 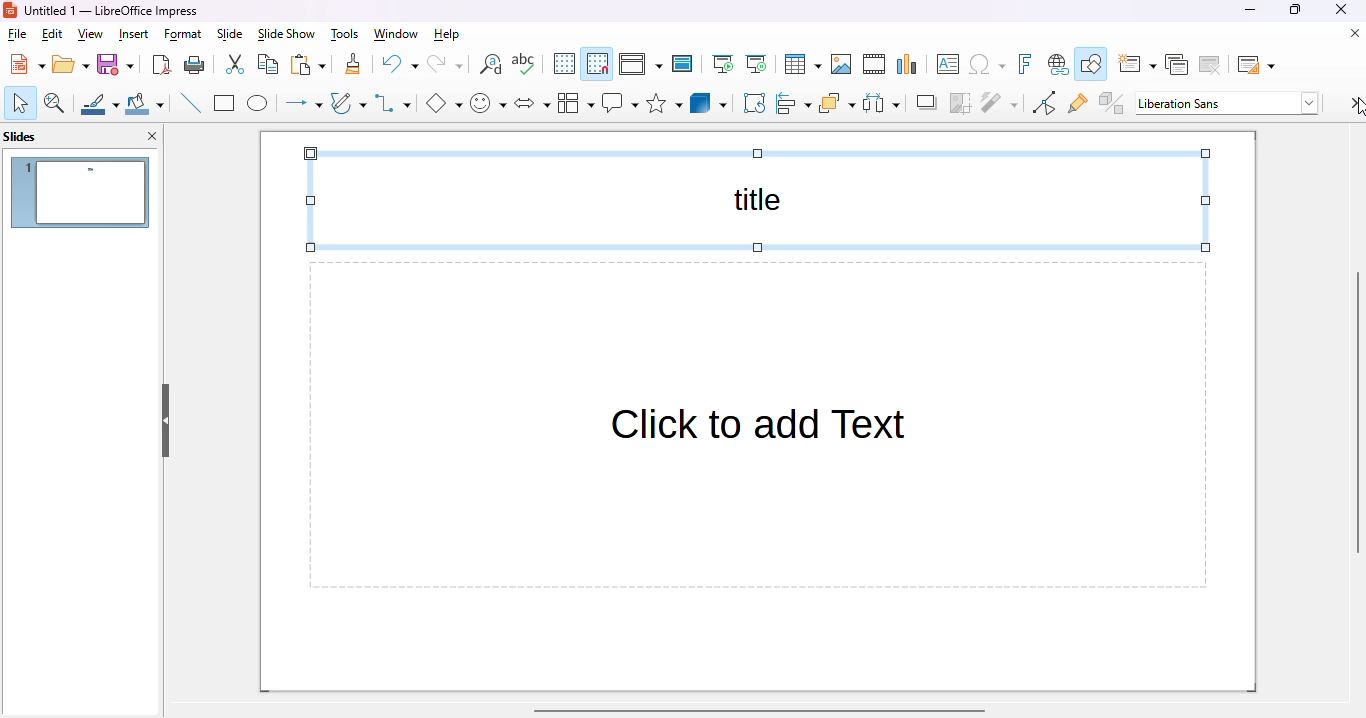 I want to click on Liberation Sans, so click(x=1228, y=103).